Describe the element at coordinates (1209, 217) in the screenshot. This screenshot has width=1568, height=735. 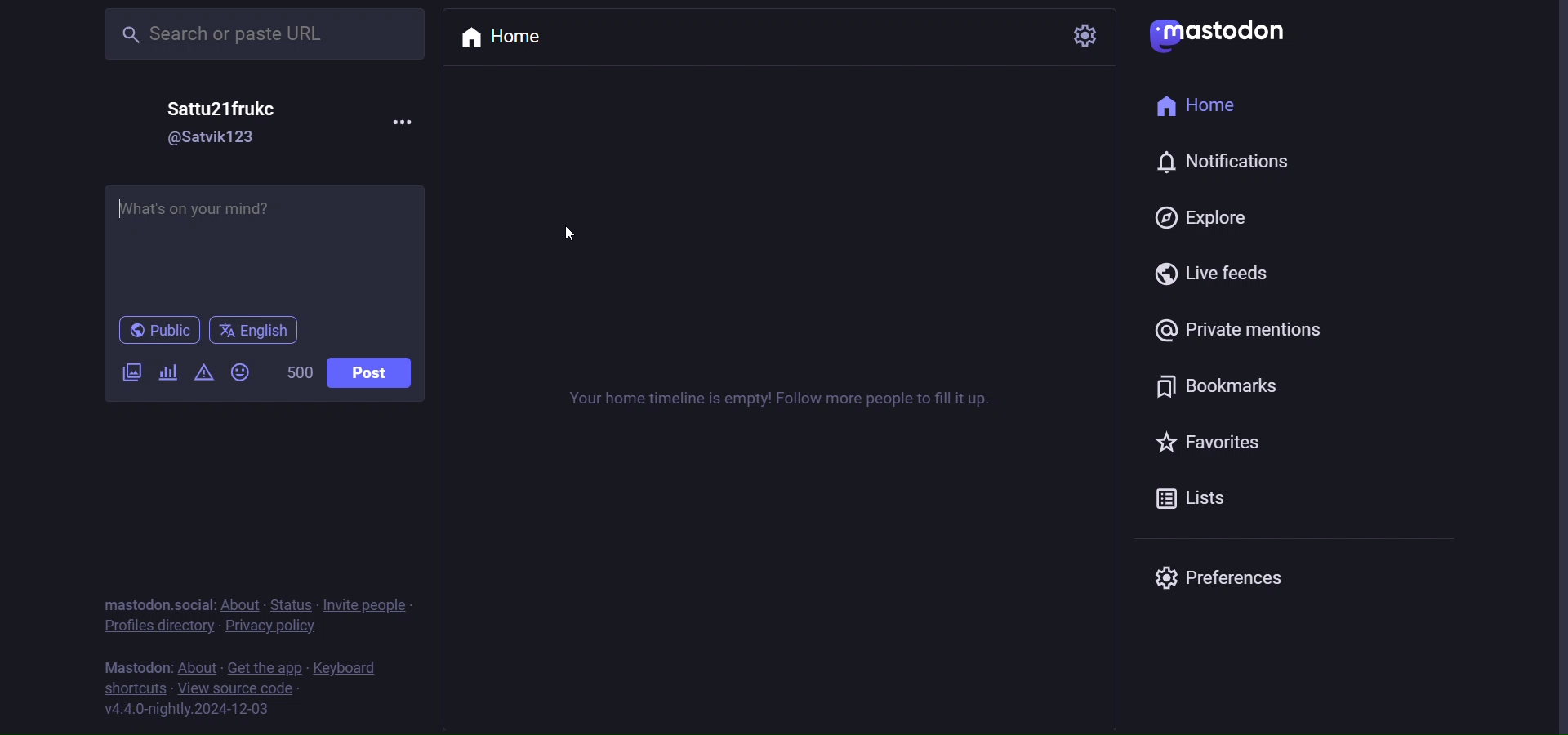
I see `explore` at that location.